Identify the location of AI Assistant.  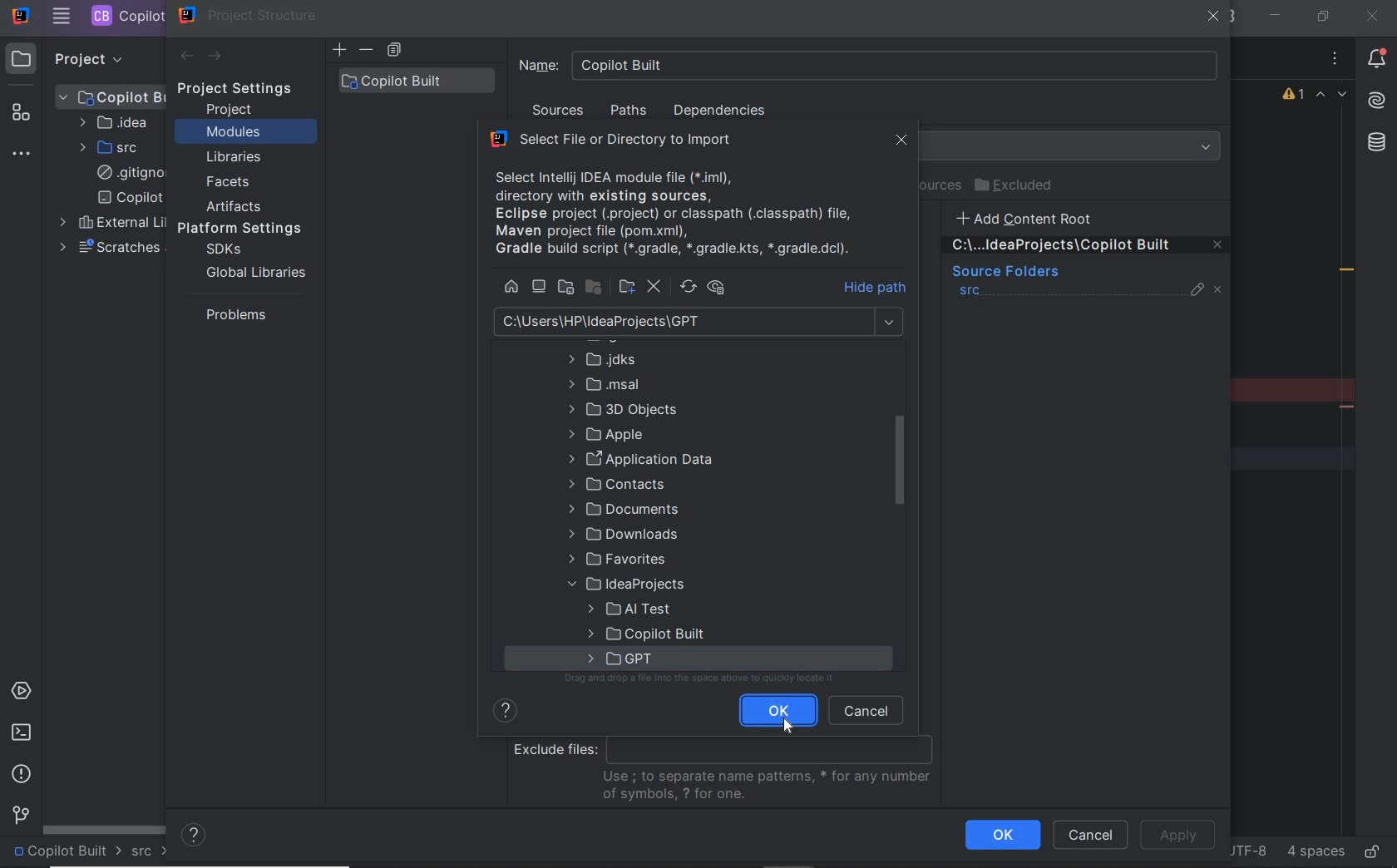
(1375, 101).